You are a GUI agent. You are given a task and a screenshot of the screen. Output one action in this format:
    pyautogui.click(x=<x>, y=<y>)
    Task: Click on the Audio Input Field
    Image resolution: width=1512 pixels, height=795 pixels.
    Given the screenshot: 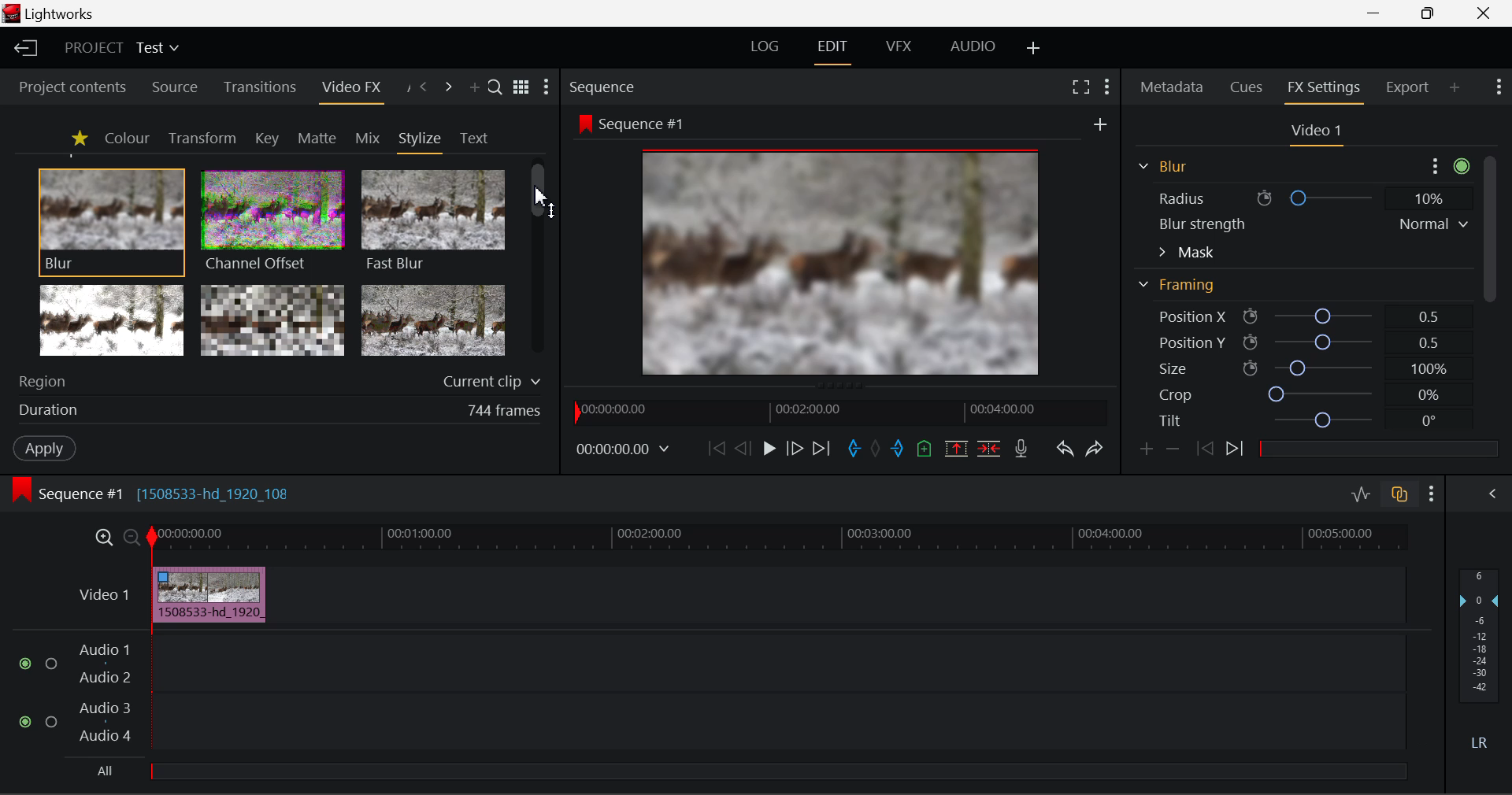 What is the action you would take?
    pyautogui.click(x=696, y=708)
    